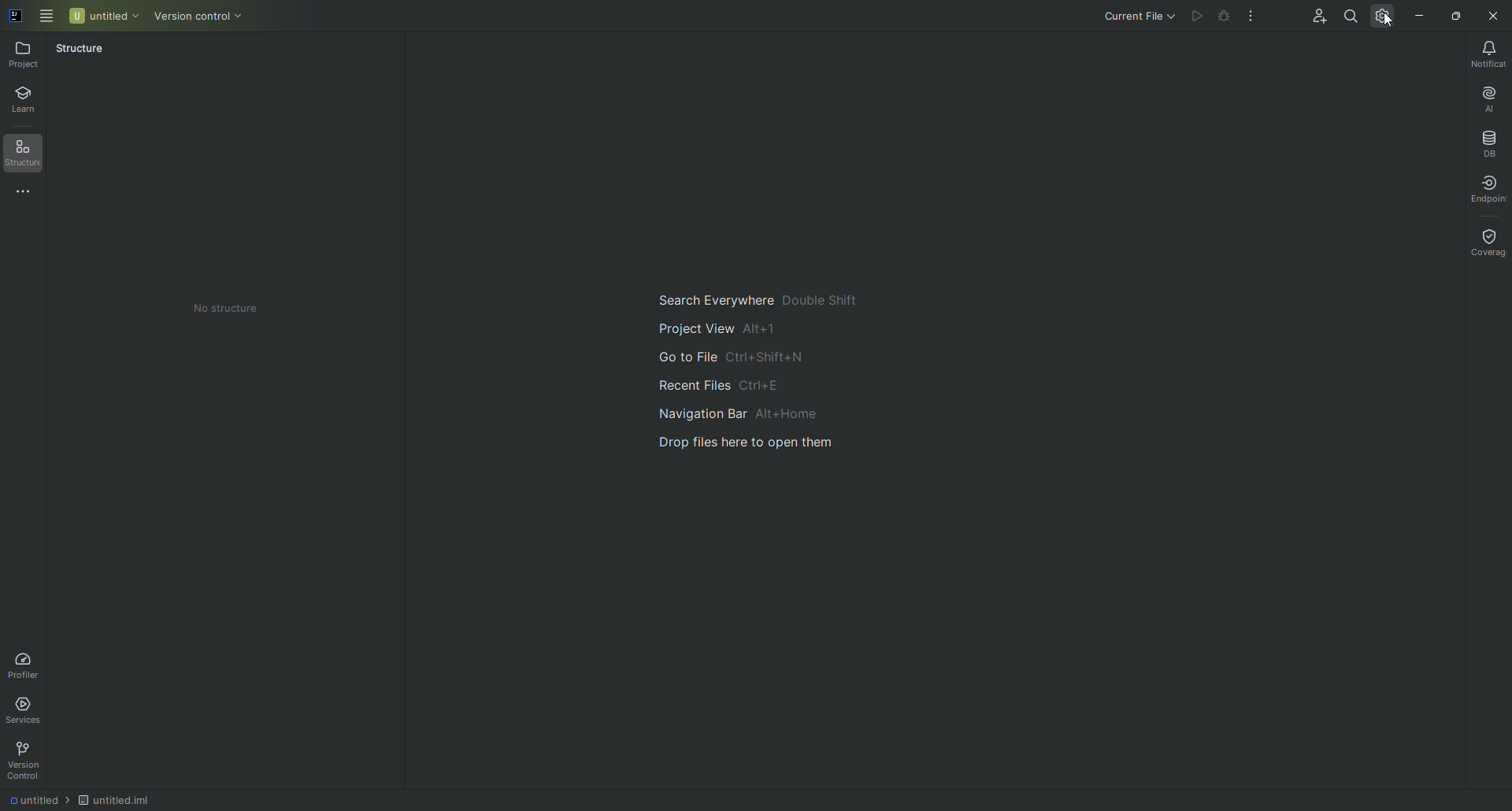 The image size is (1512, 811). Describe the element at coordinates (1481, 188) in the screenshot. I see `Endpoint` at that location.